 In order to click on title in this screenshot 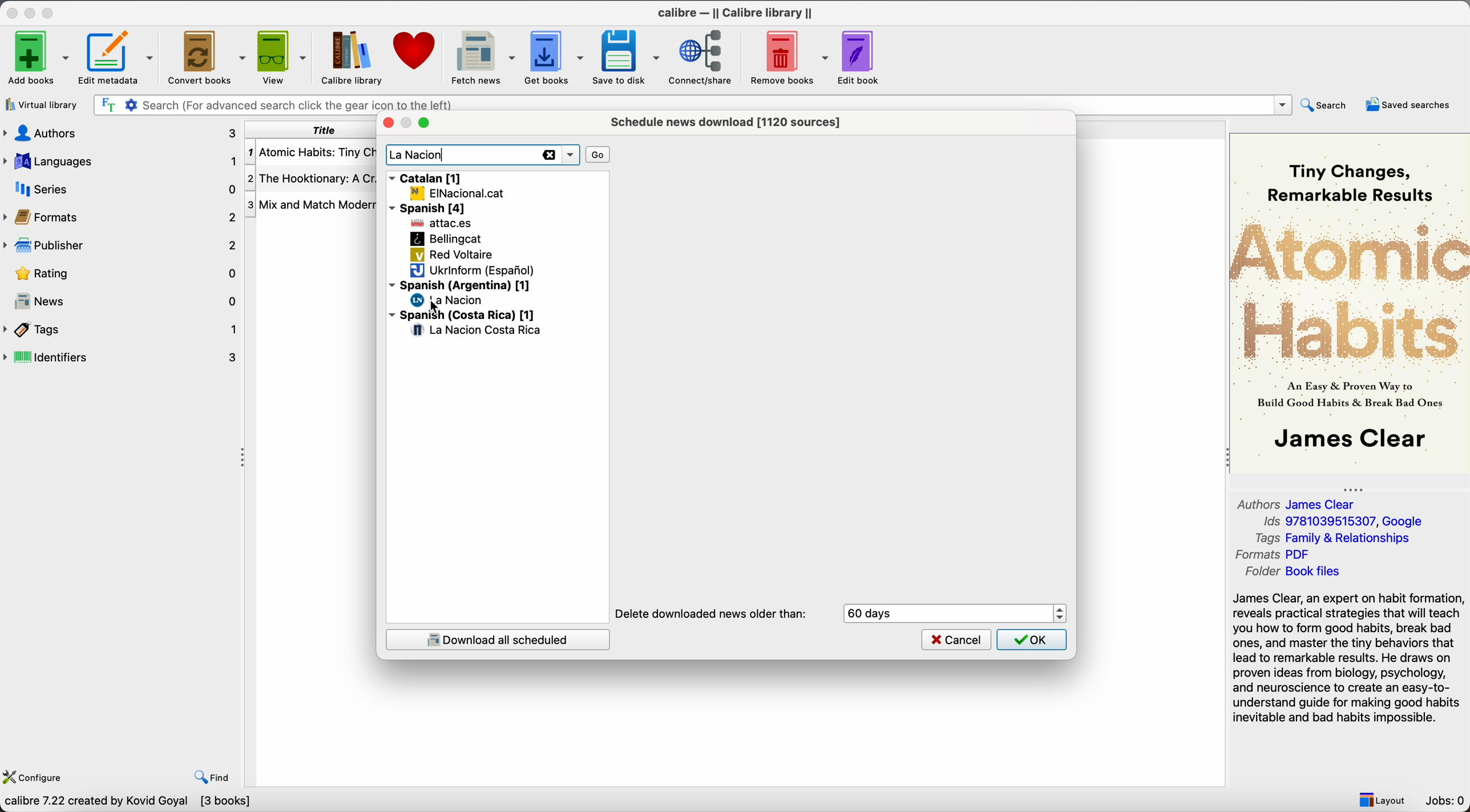, I will do `click(309, 130)`.